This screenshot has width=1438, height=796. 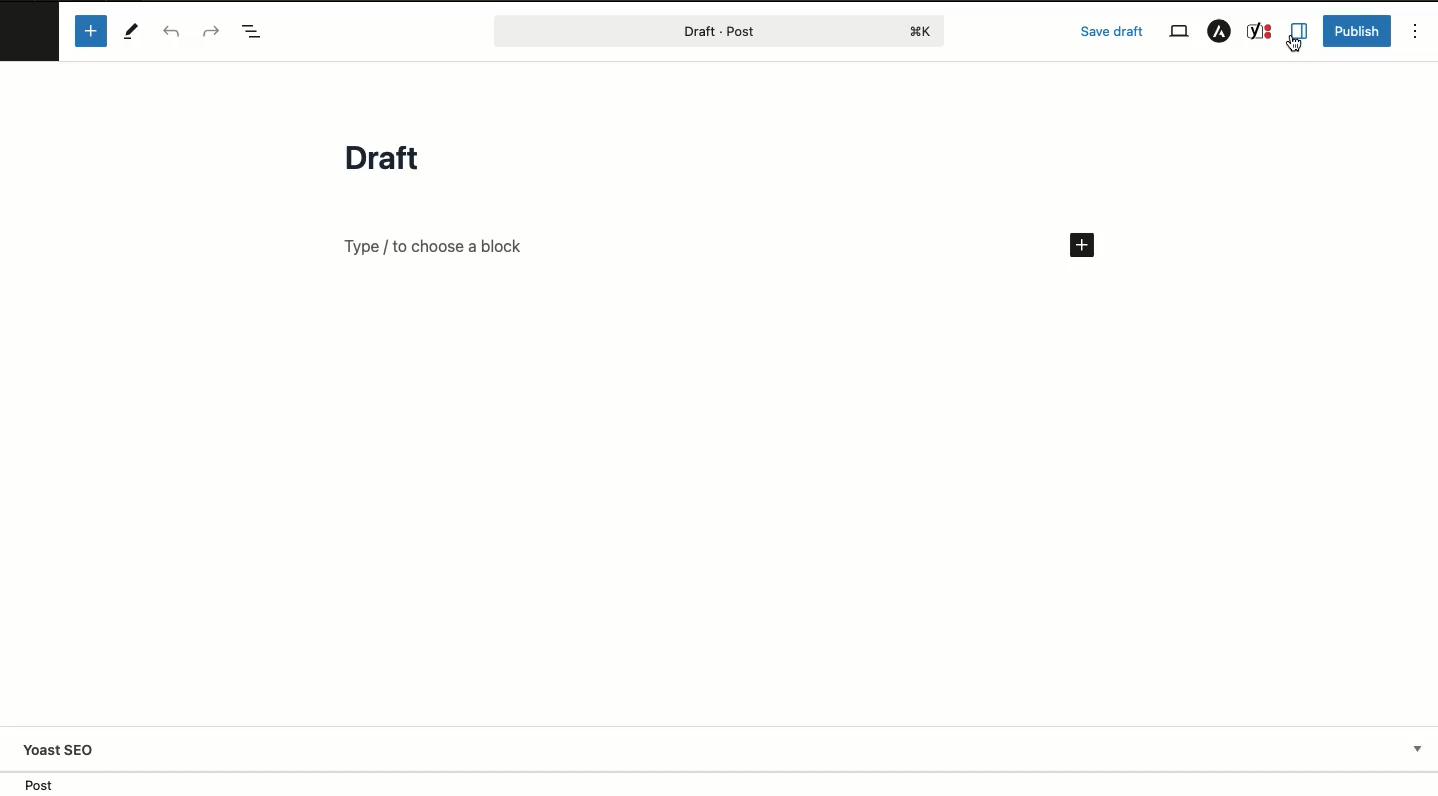 I want to click on Add new block, so click(x=438, y=243).